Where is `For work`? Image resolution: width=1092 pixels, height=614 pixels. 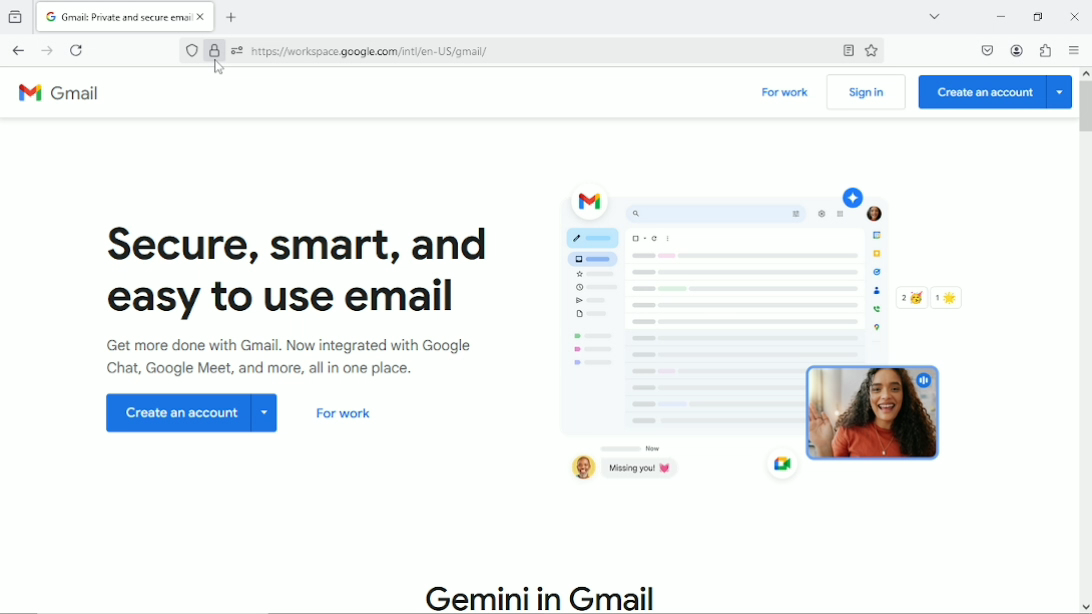
For work is located at coordinates (785, 94).